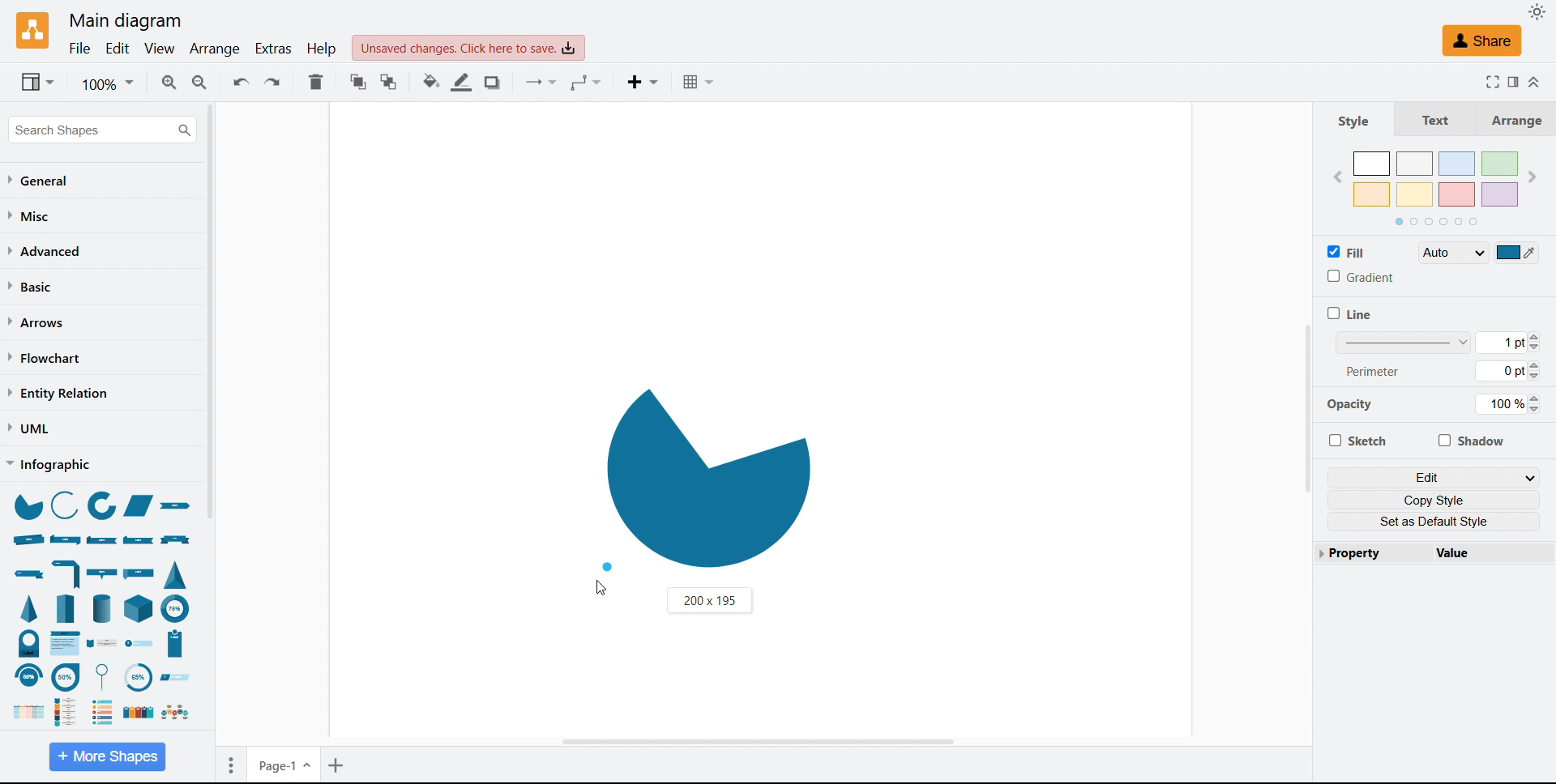  What do you see at coordinates (1434, 477) in the screenshot?
I see `Edit options ` at bounding box center [1434, 477].